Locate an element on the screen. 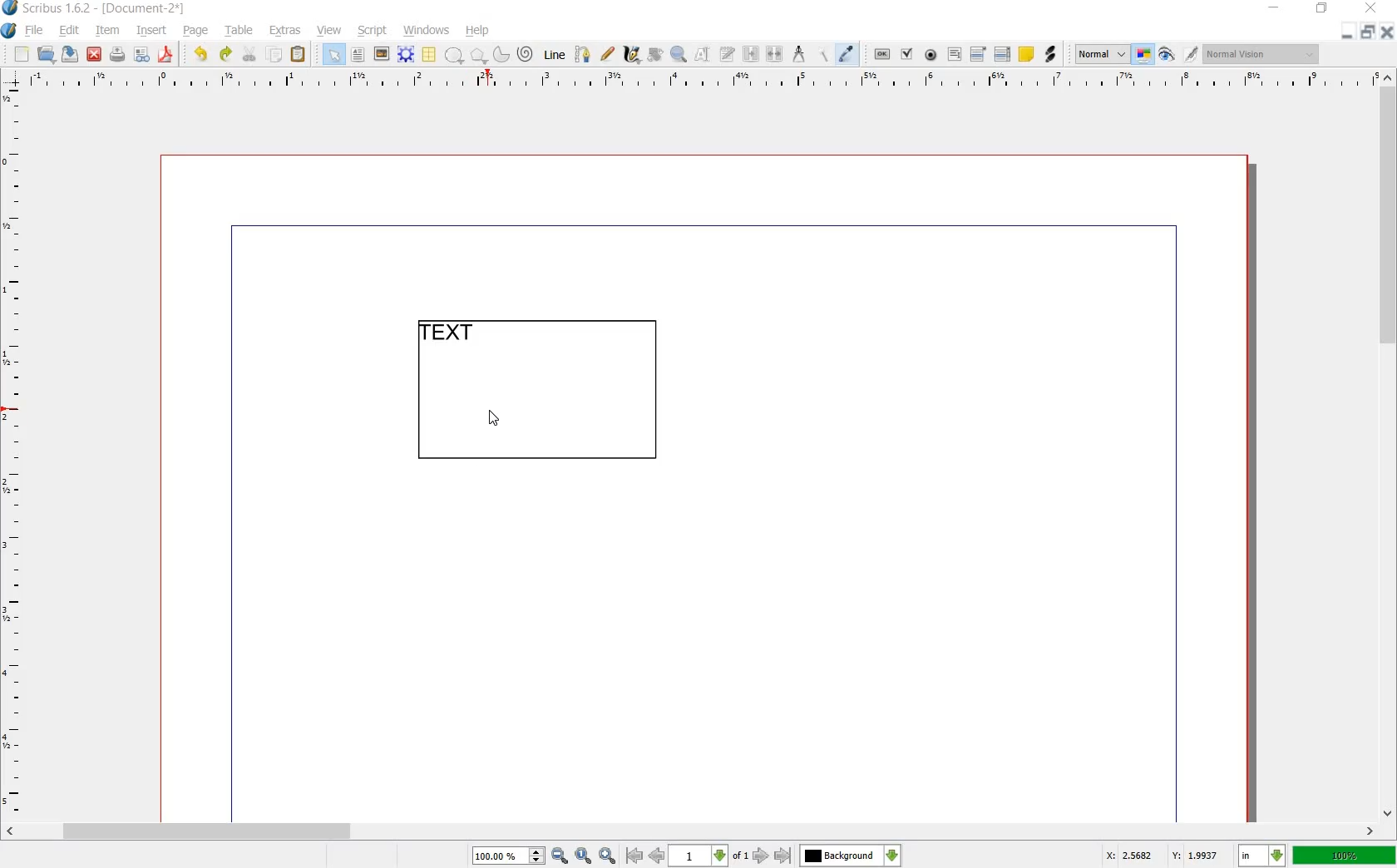 The height and width of the screenshot is (868, 1397). script is located at coordinates (373, 31).